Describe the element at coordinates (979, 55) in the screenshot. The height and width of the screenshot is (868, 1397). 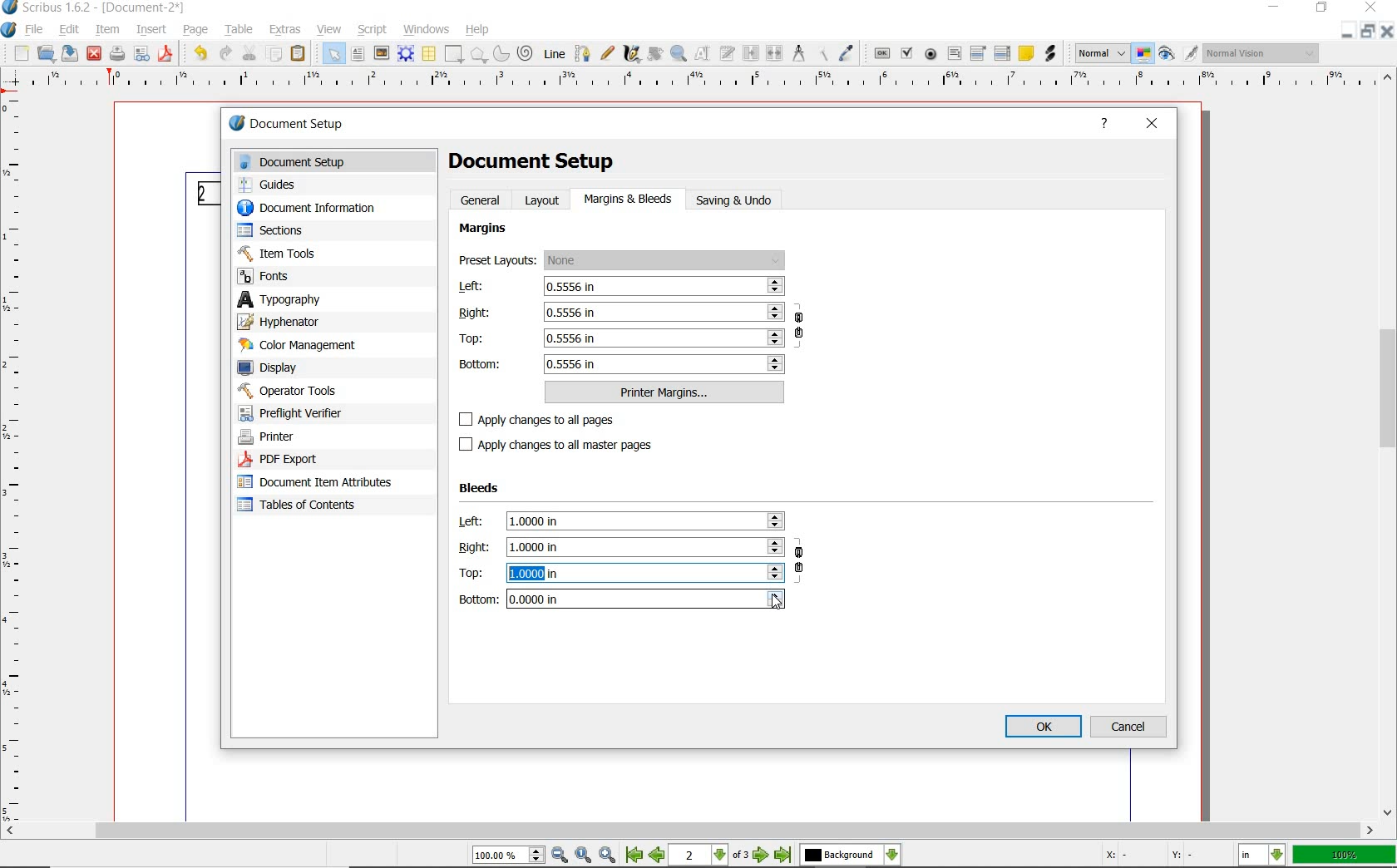
I see `pdf combo box` at that location.